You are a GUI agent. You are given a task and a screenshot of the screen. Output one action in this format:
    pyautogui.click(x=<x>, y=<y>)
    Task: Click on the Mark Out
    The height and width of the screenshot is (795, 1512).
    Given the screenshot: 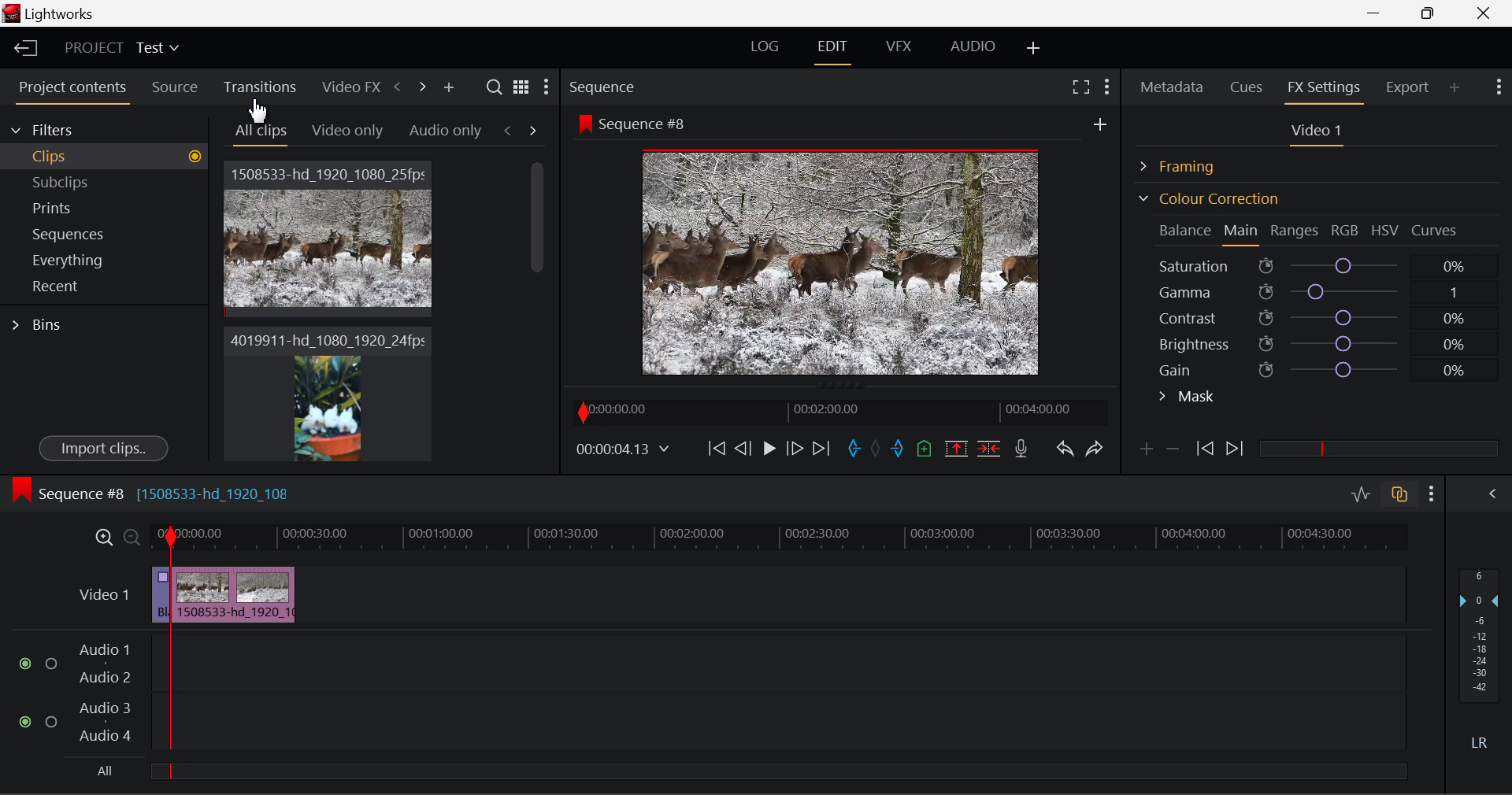 What is the action you would take?
    pyautogui.click(x=899, y=449)
    